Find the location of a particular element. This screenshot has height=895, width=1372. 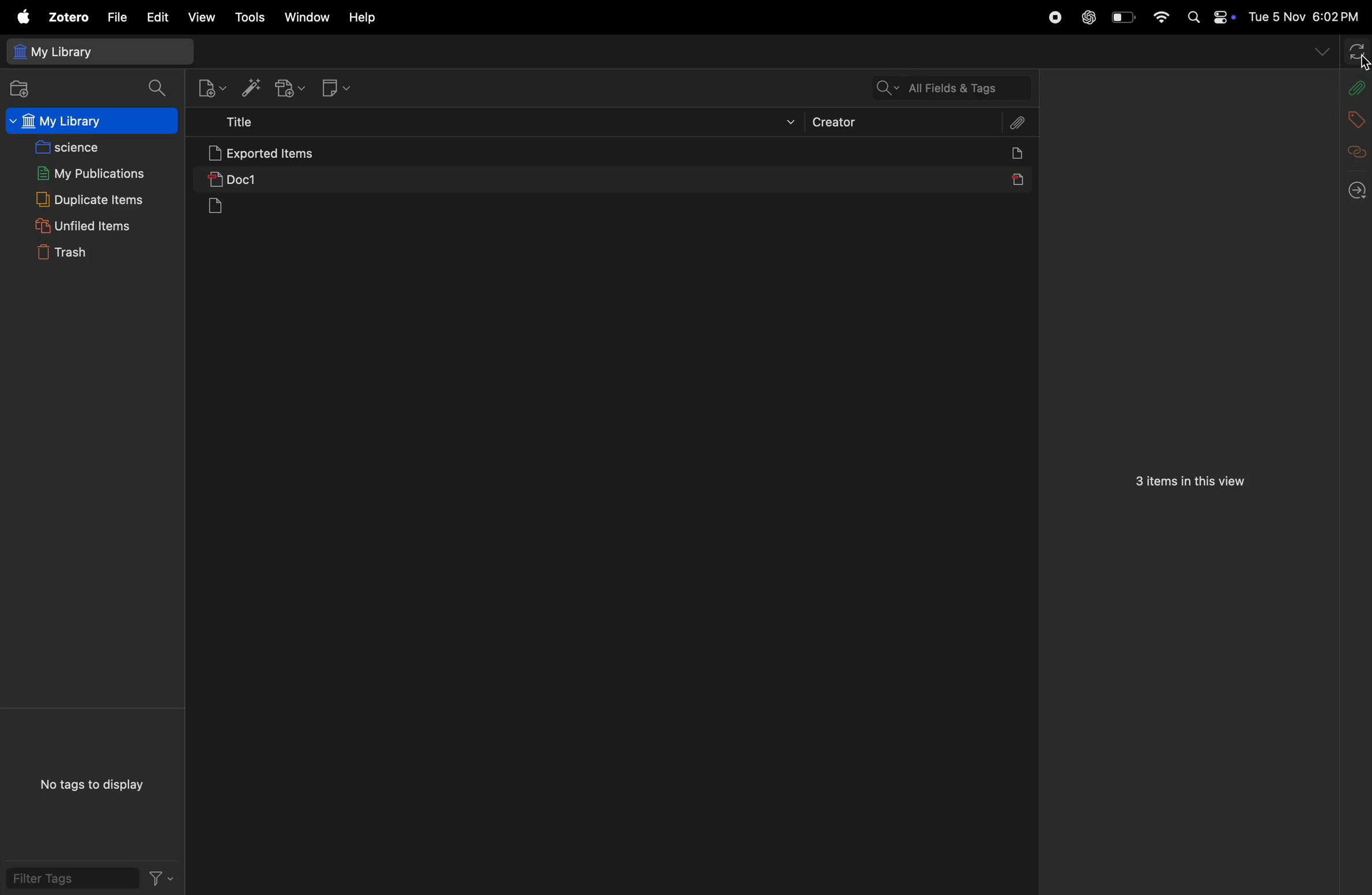

record is located at coordinates (1051, 17).